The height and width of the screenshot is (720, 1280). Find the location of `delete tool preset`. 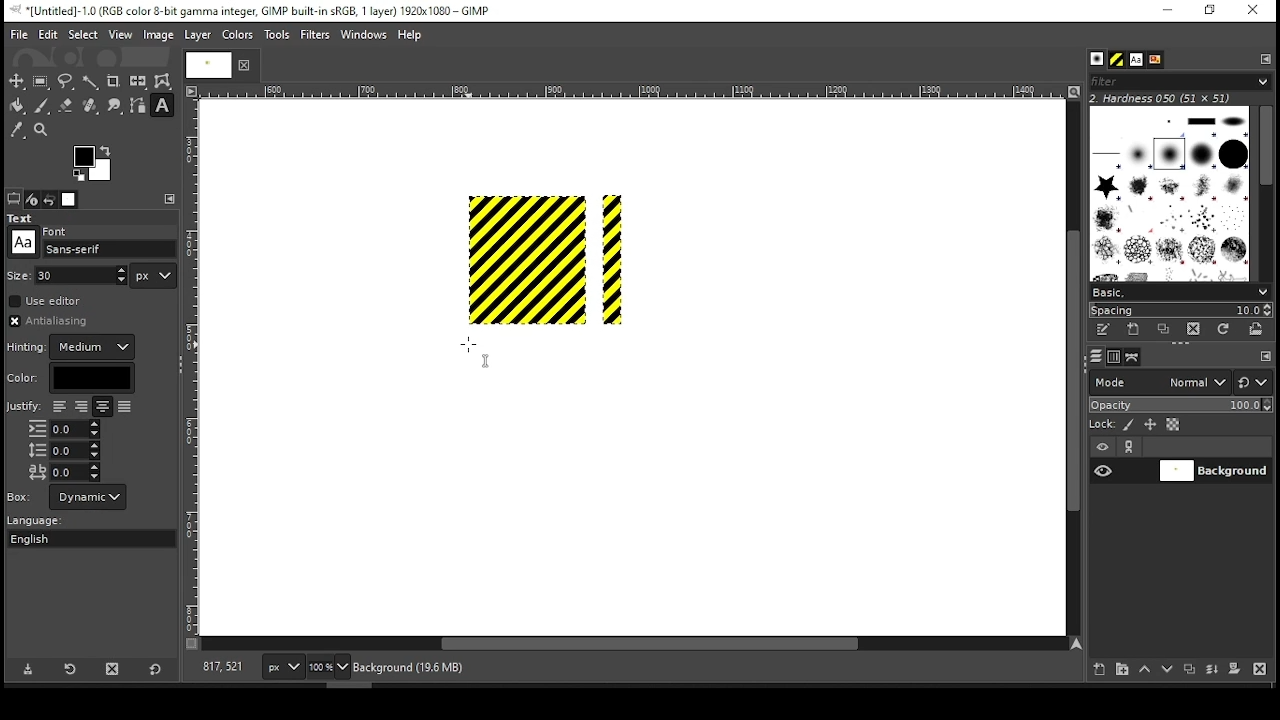

delete tool preset is located at coordinates (118, 668).